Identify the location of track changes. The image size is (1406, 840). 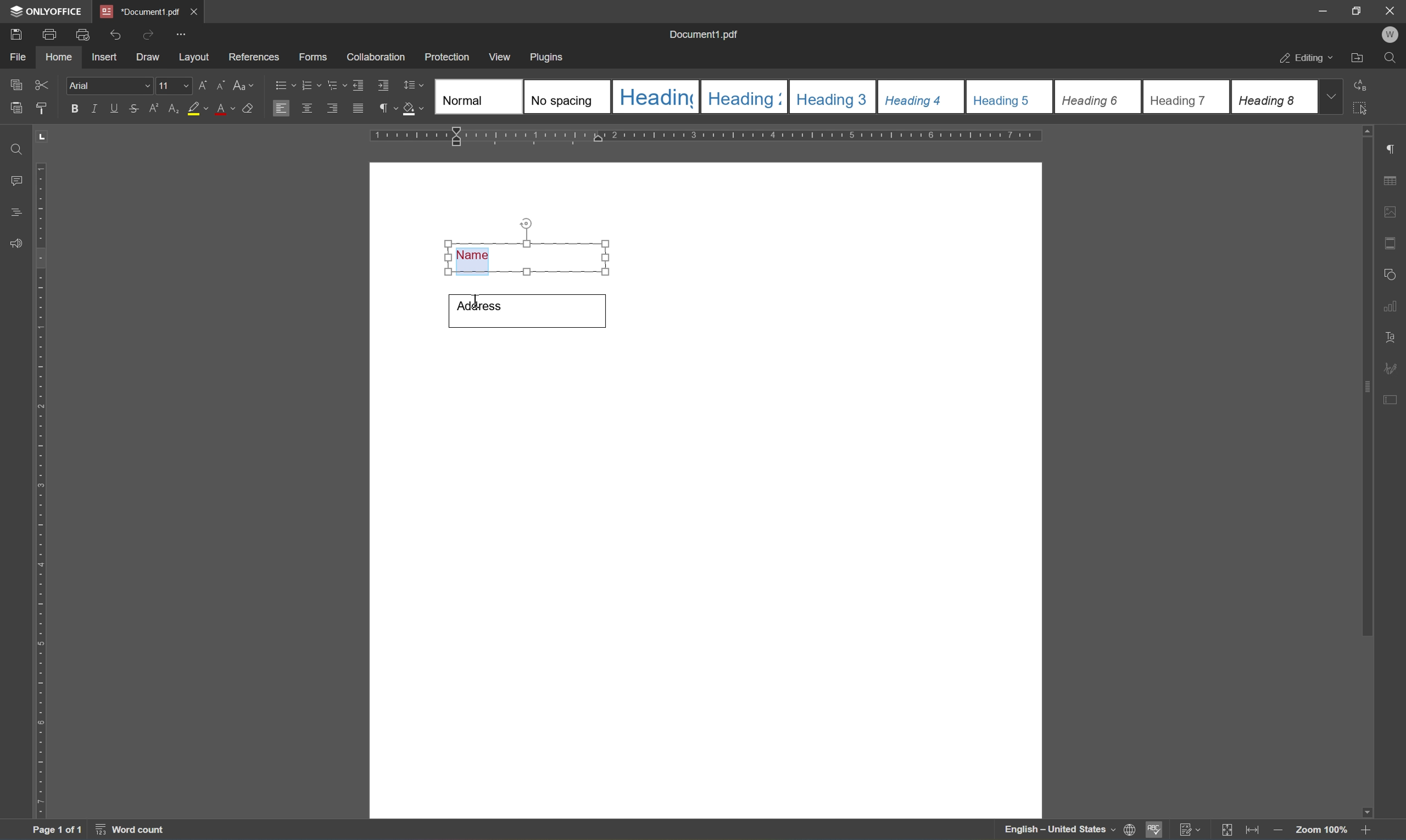
(1191, 830).